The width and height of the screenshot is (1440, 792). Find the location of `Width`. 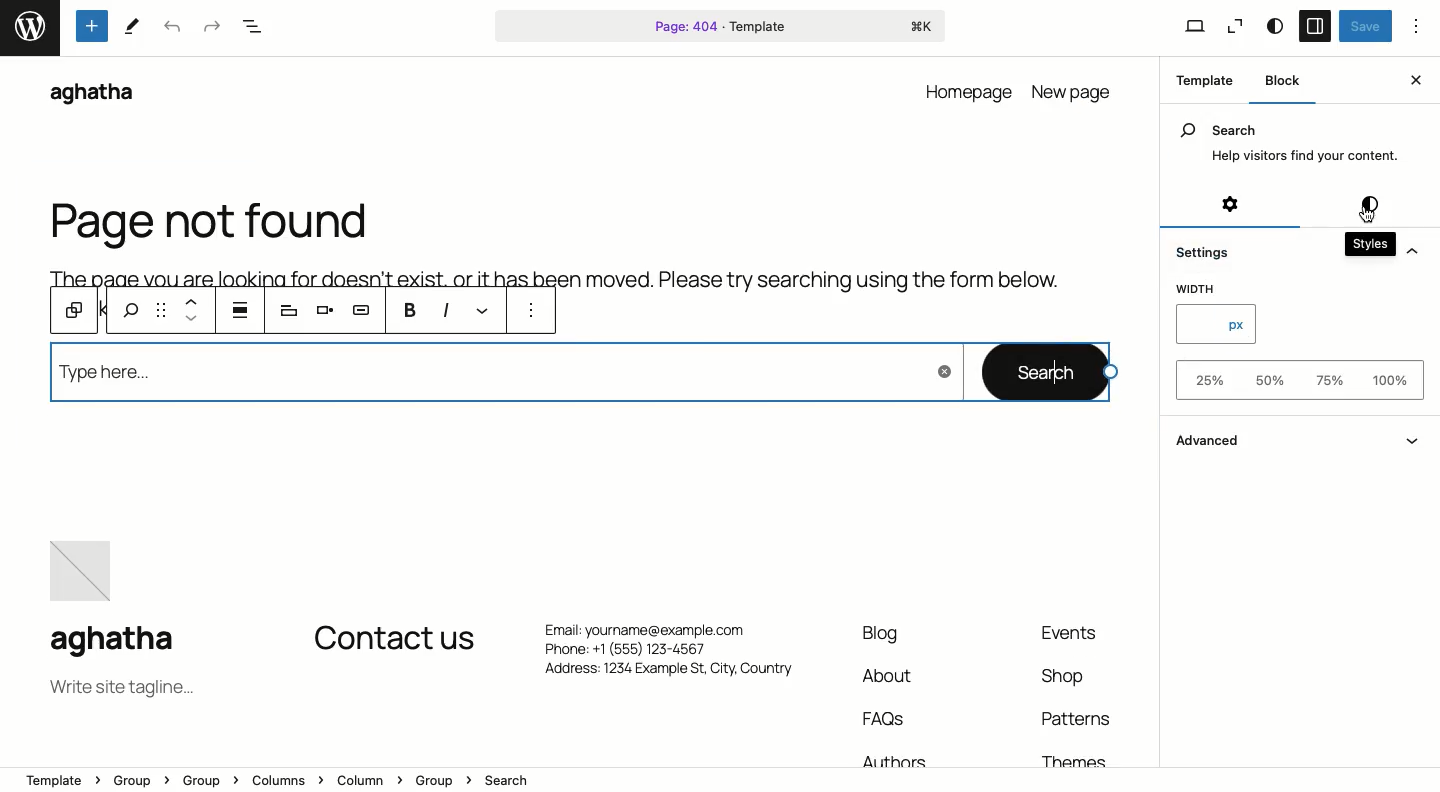

Width is located at coordinates (1197, 291).